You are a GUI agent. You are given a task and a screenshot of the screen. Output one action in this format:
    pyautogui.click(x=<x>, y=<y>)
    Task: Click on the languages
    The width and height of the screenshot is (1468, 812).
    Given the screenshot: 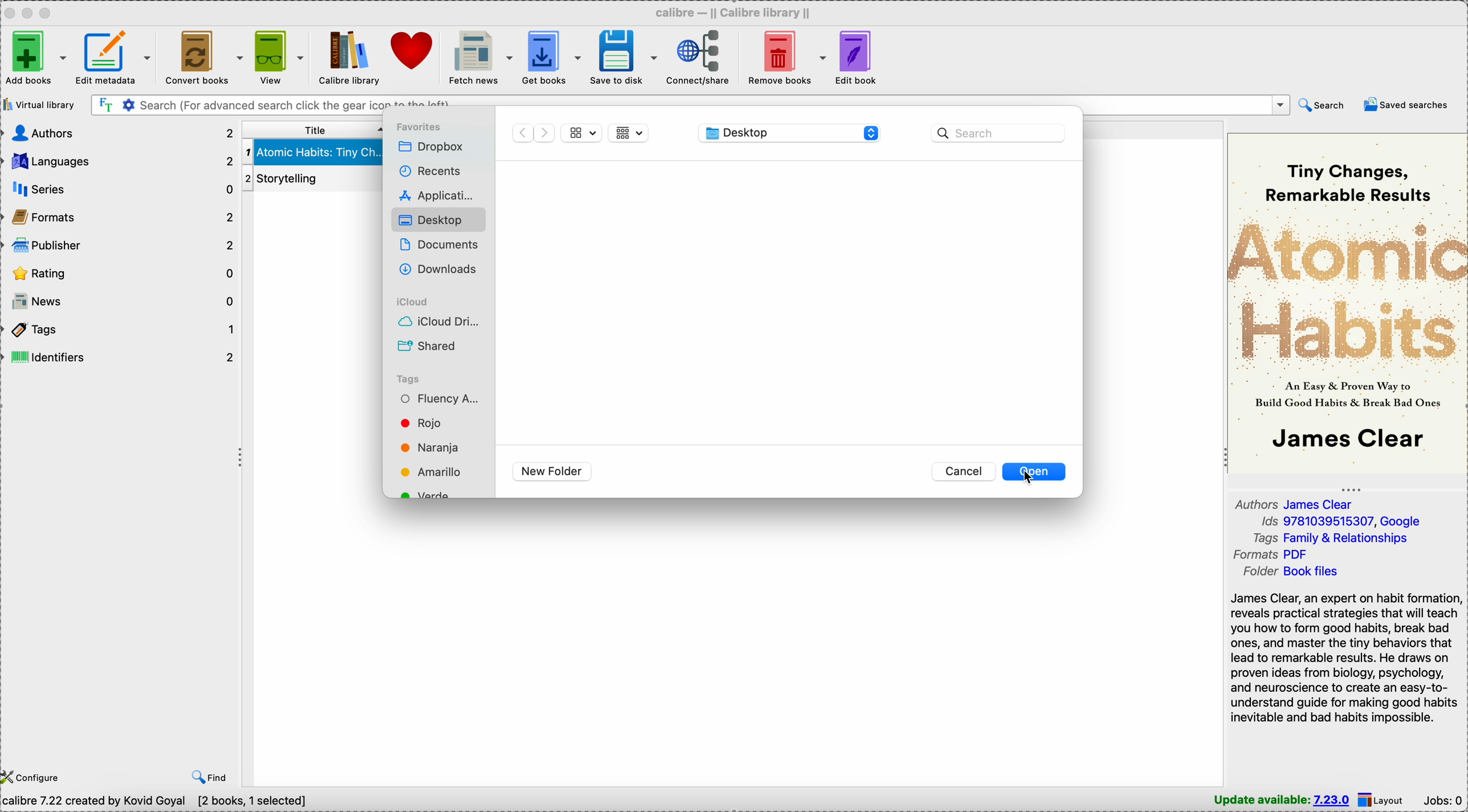 What is the action you would take?
    pyautogui.click(x=119, y=162)
    